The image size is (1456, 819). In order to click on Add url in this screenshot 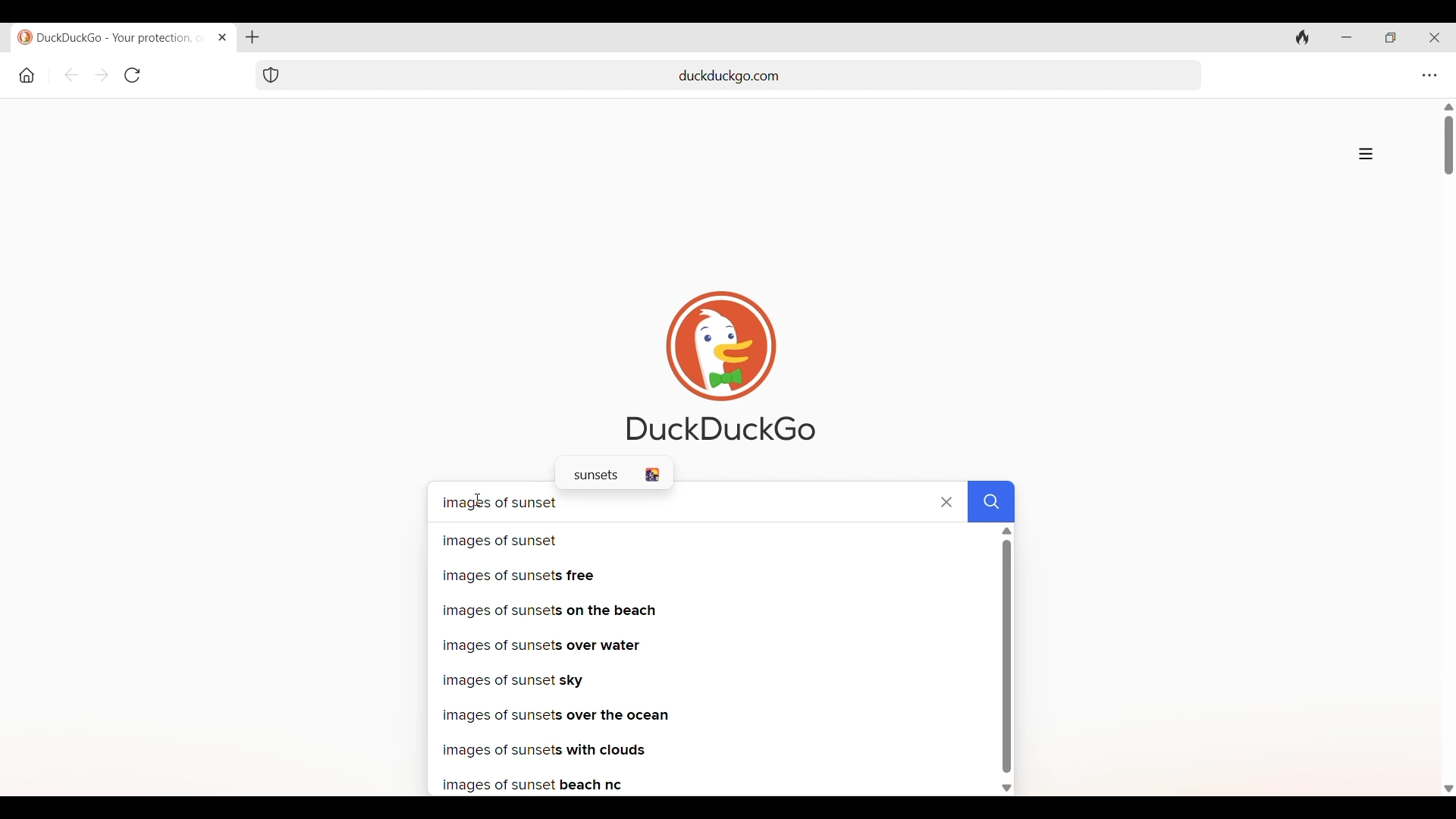, I will do `click(742, 74)`.